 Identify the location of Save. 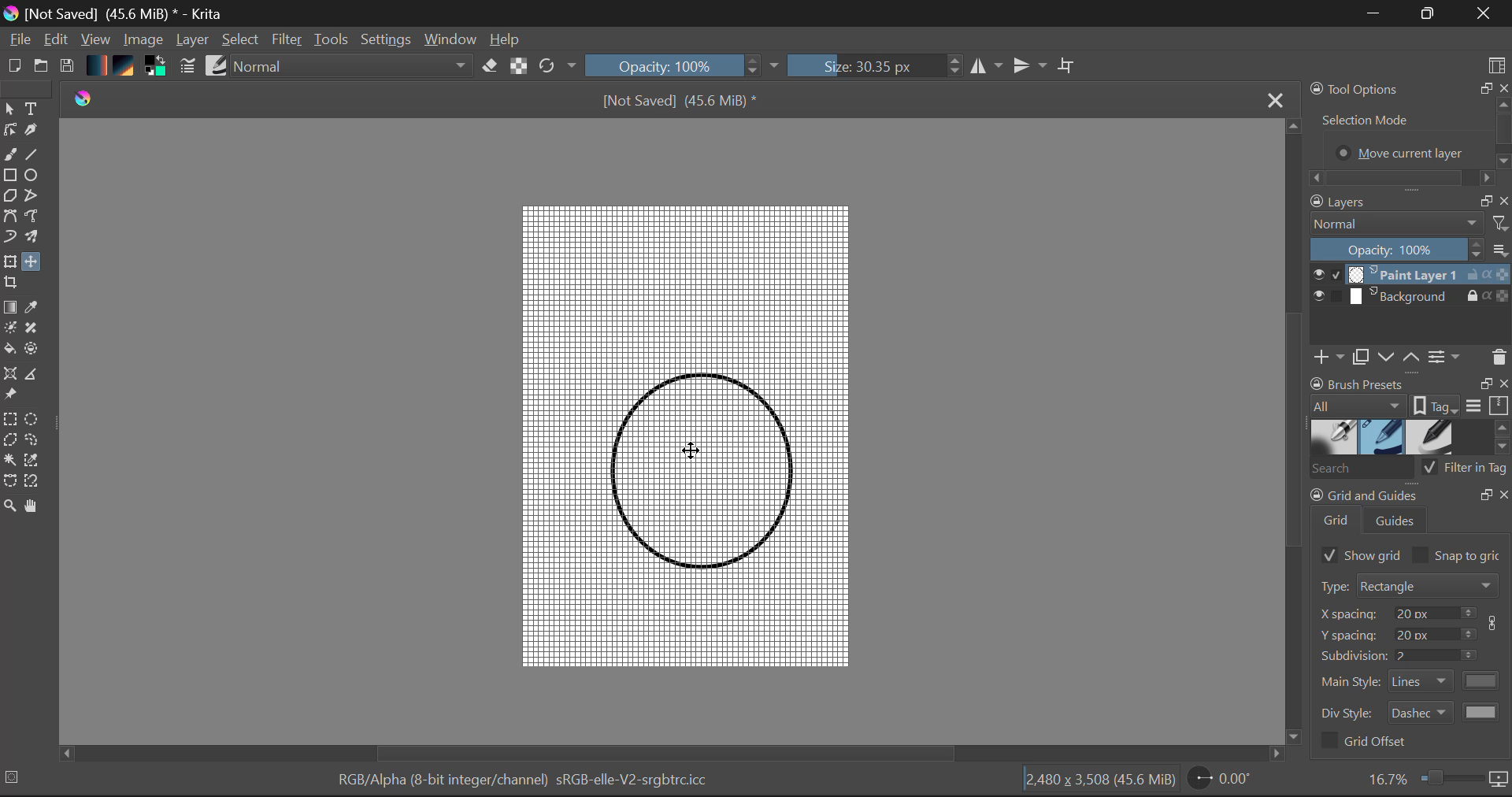
(68, 67).